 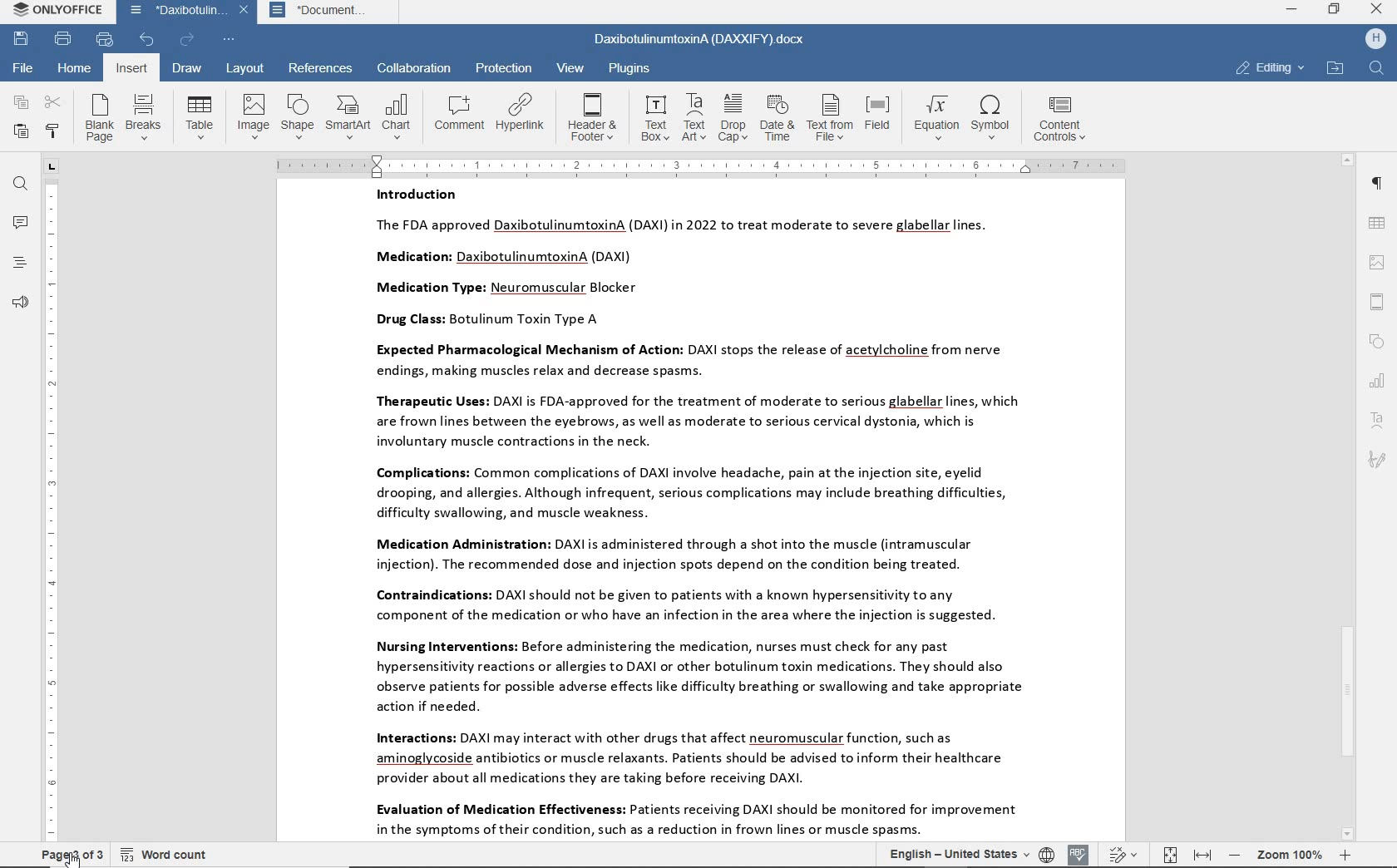 What do you see at coordinates (105, 40) in the screenshot?
I see `quick print` at bounding box center [105, 40].